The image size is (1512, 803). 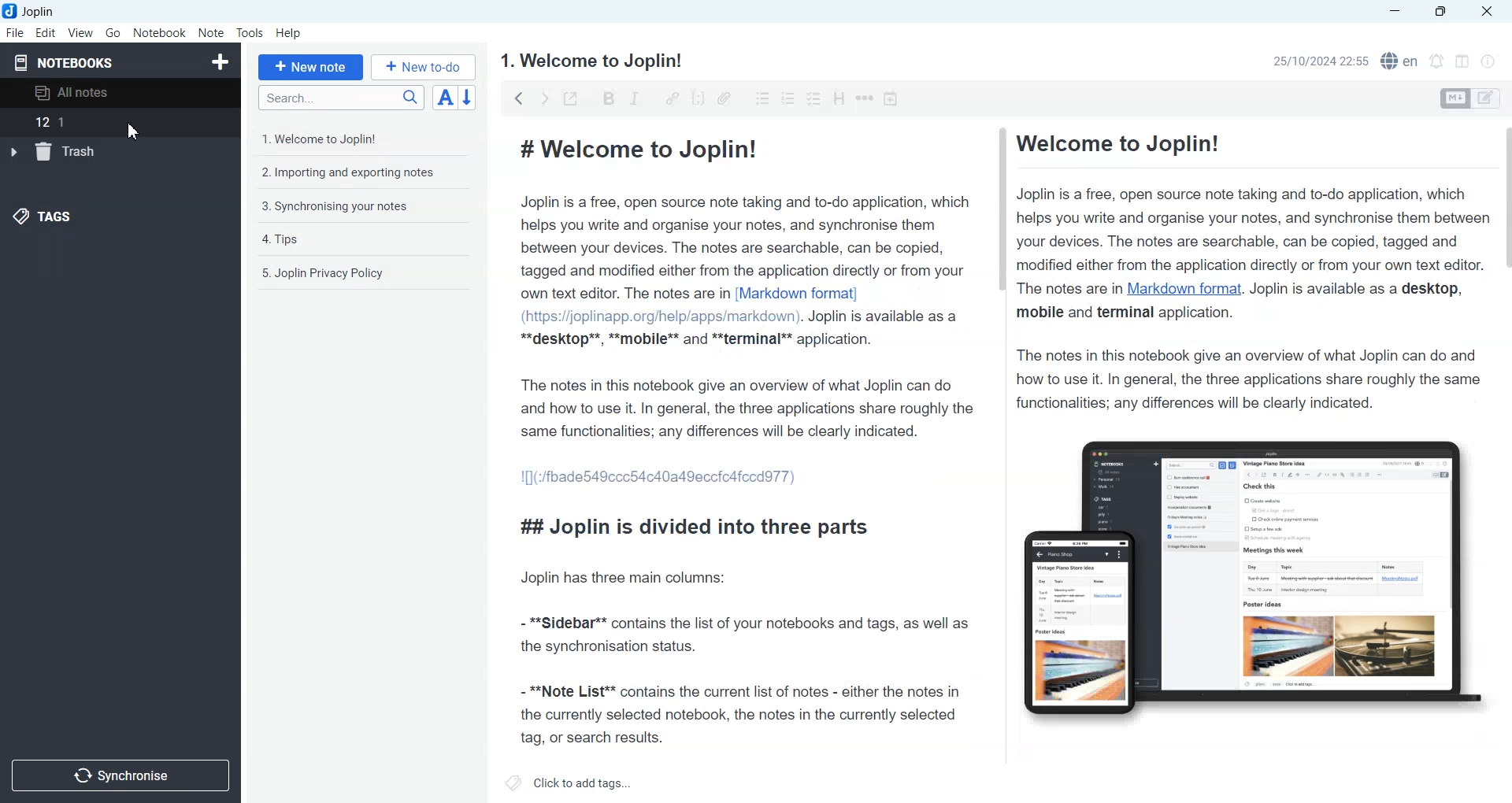 What do you see at coordinates (54, 156) in the screenshot?
I see `trash` at bounding box center [54, 156].